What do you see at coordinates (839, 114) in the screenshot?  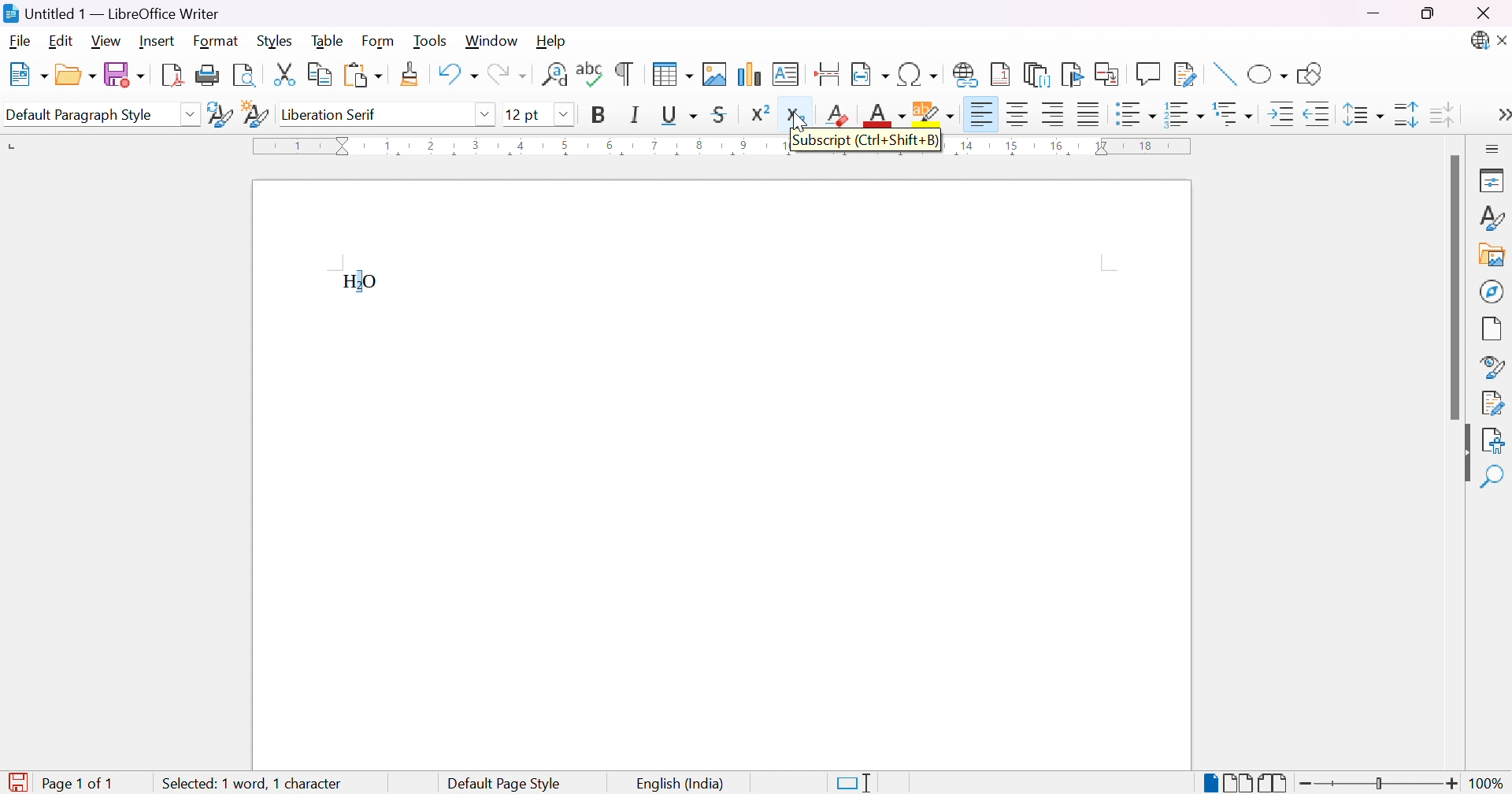 I see `Clear direct formatting` at bounding box center [839, 114].